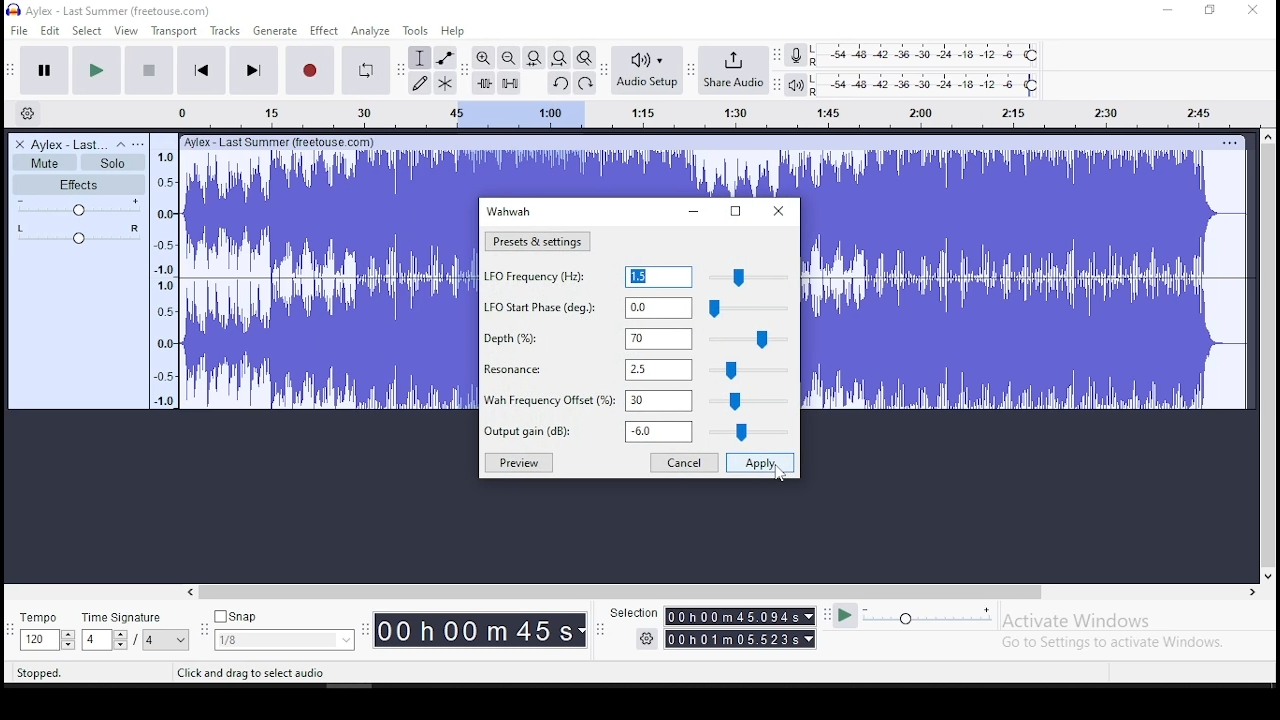  I want to click on text, so click(288, 143).